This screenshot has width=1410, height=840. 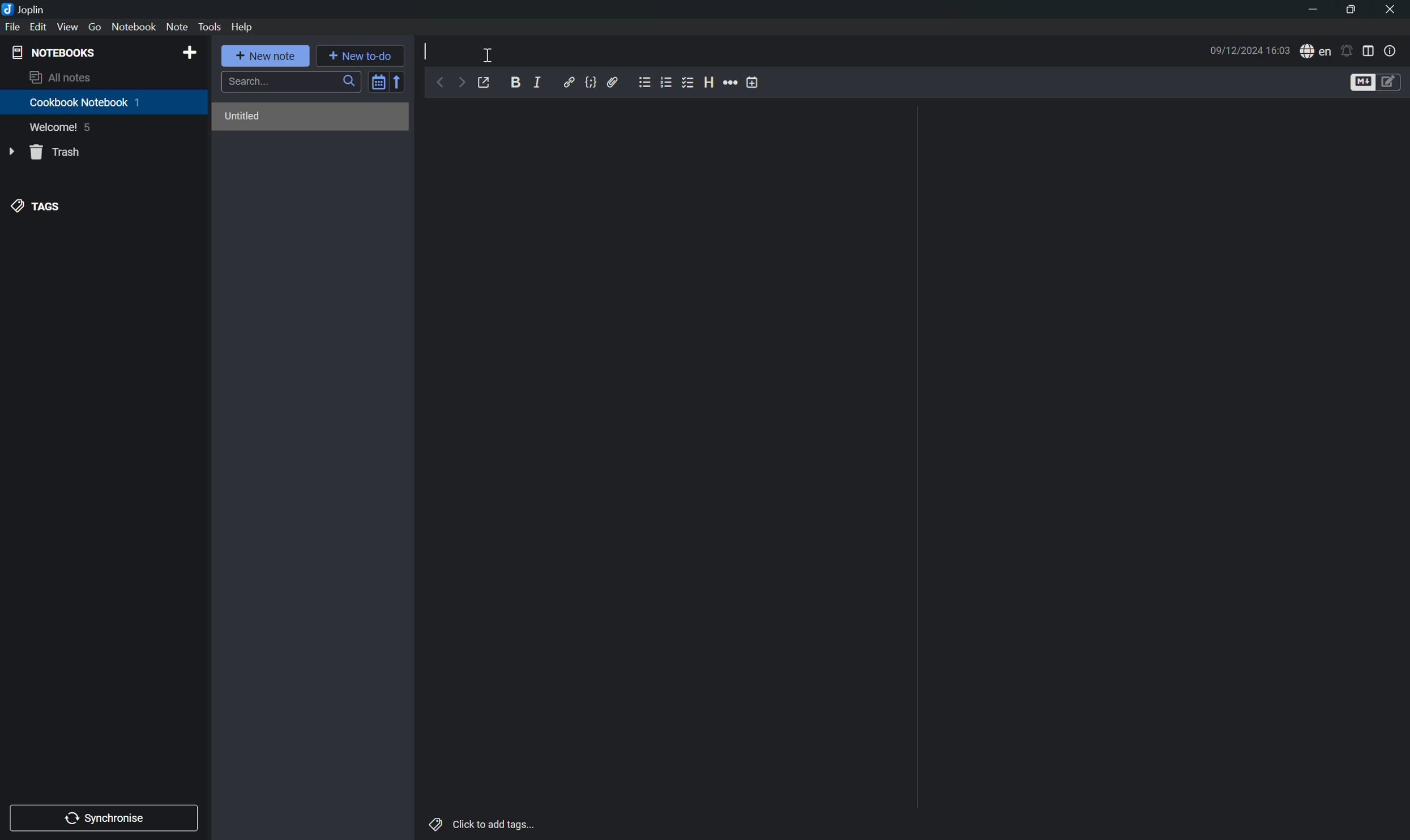 I want to click on Note properties, so click(x=1392, y=50).